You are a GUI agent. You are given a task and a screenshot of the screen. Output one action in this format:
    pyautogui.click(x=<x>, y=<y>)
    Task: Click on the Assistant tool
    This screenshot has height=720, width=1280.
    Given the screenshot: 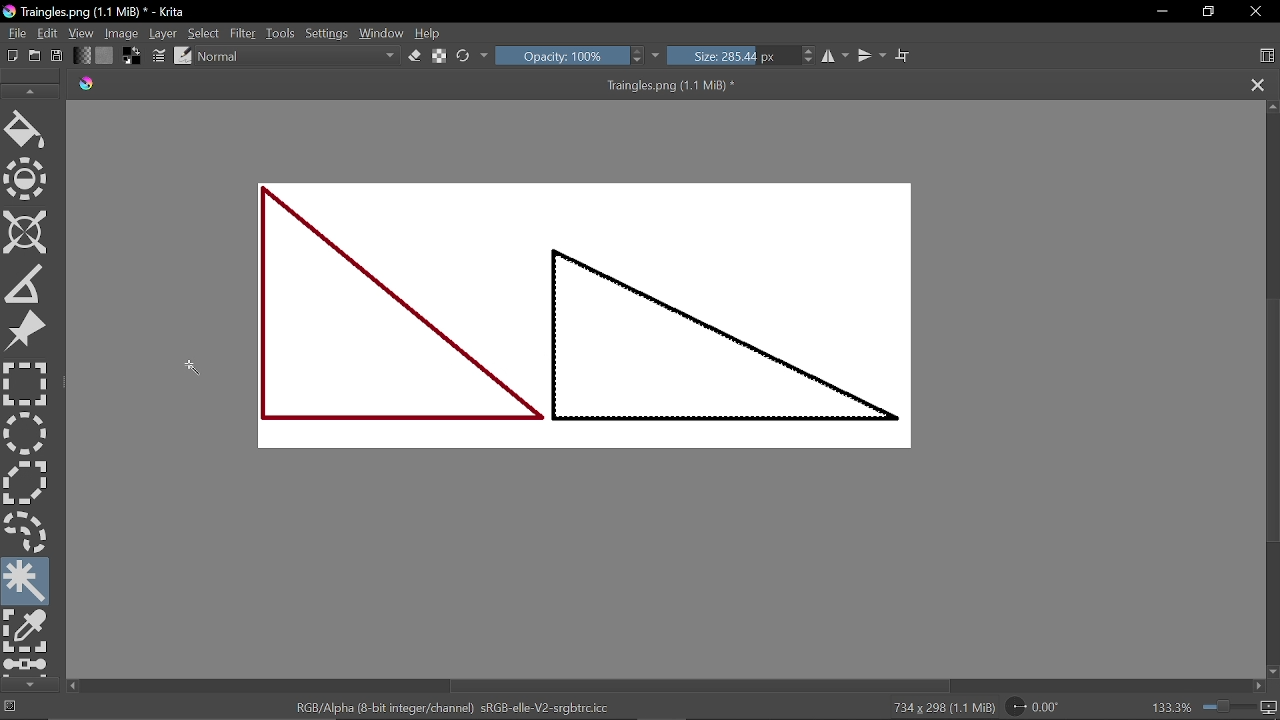 What is the action you would take?
    pyautogui.click(x=25, y=234)
    